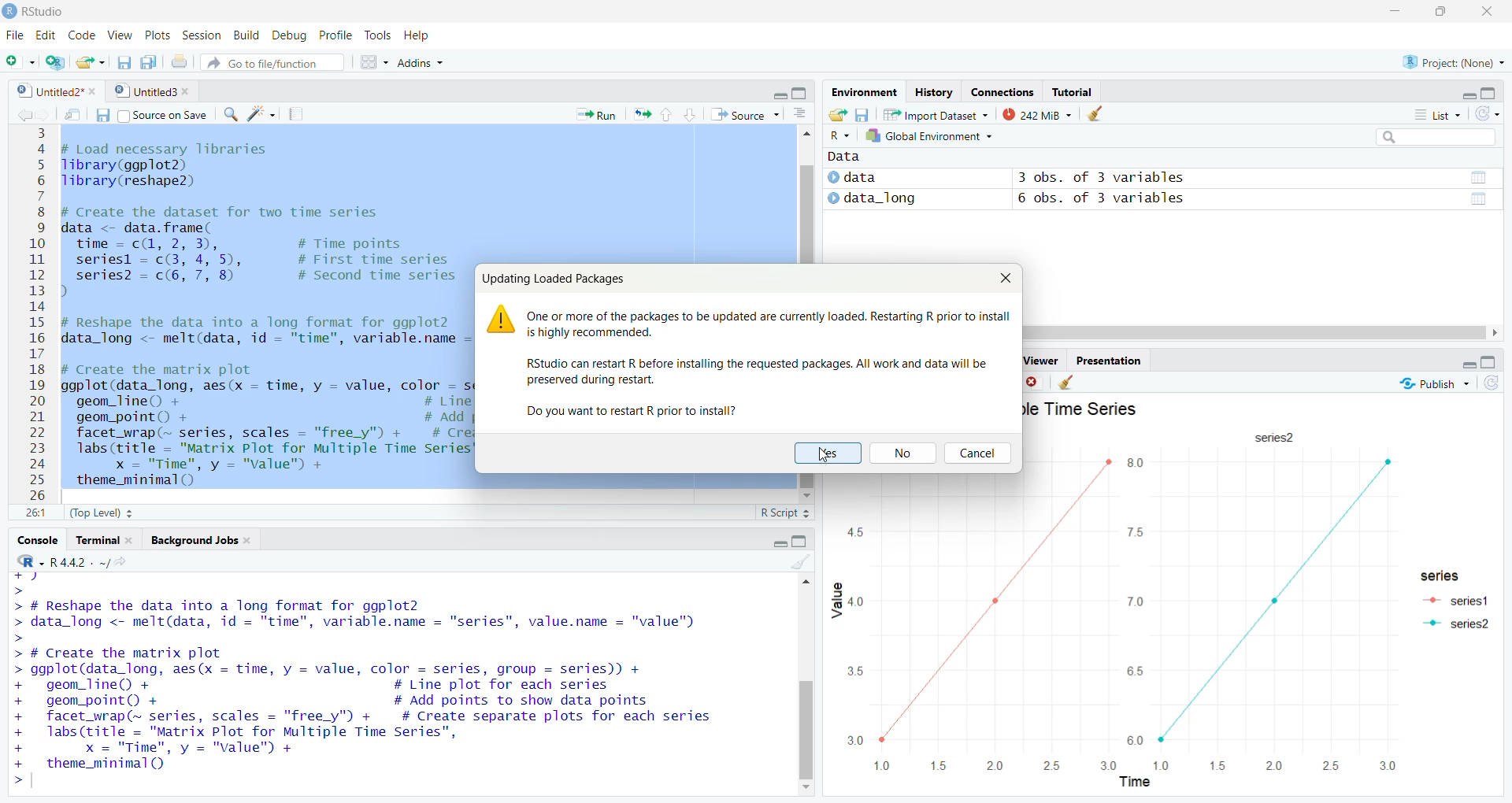  I want to click on maximize, so click(1490, 362).